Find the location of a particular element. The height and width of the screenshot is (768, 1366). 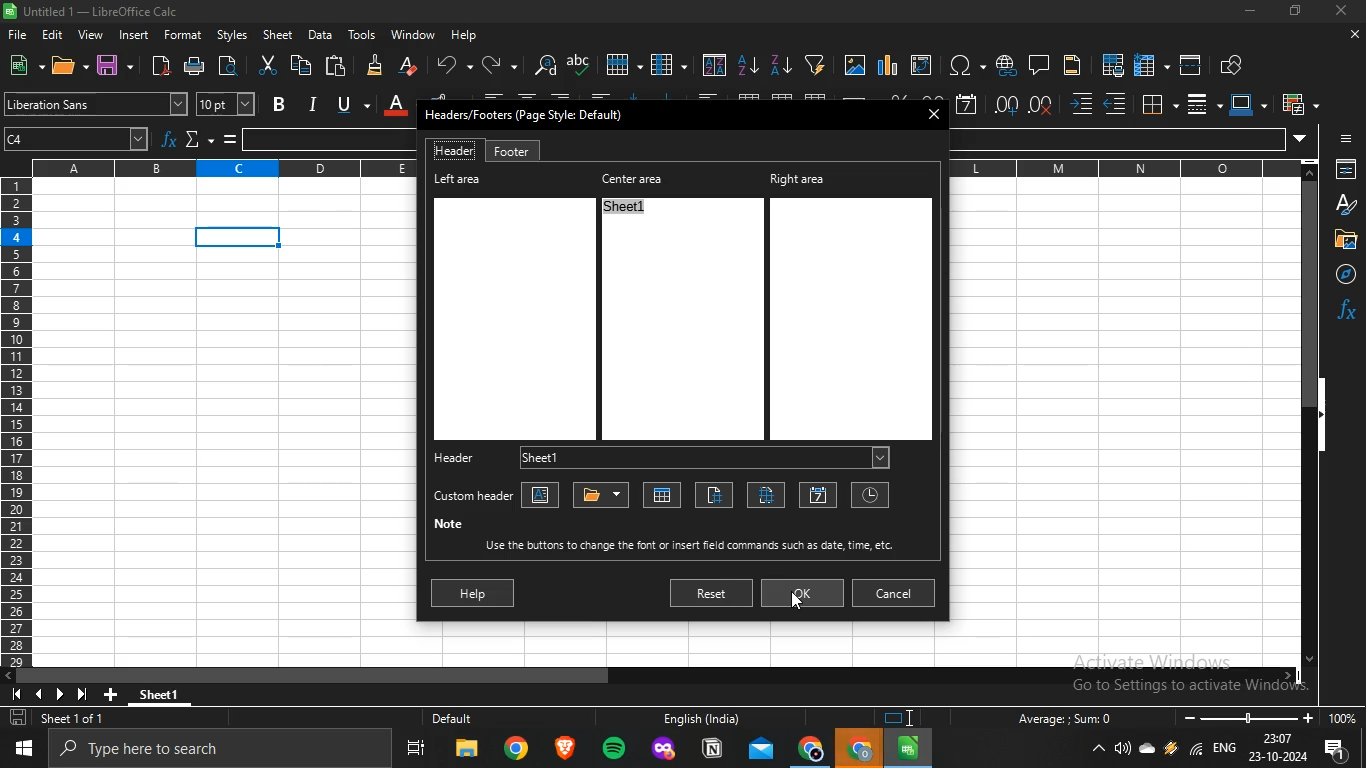

scrollbar is located at coordinates (1310, 422).